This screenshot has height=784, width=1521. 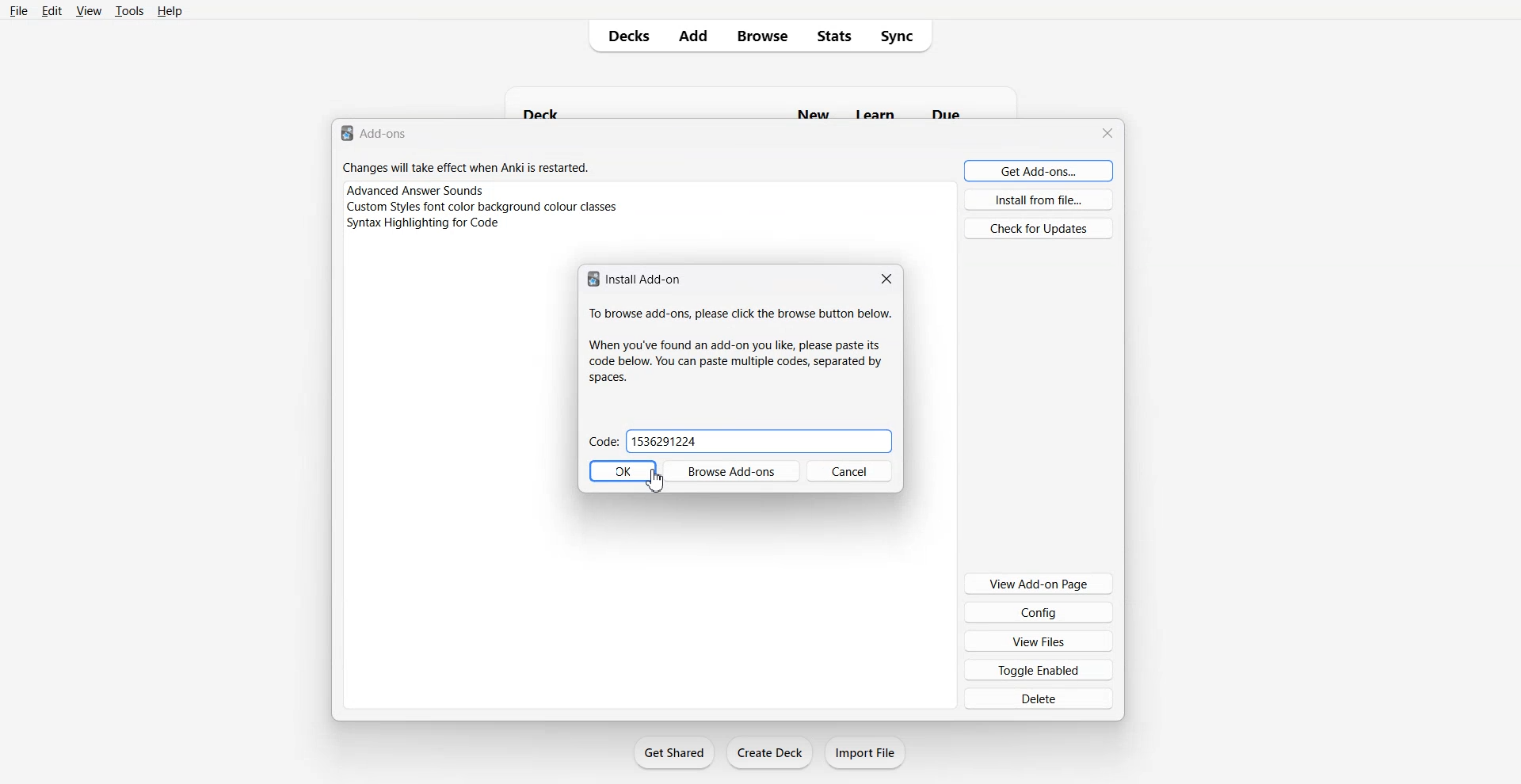 I want to click on deck, so click(x=546, y=111).